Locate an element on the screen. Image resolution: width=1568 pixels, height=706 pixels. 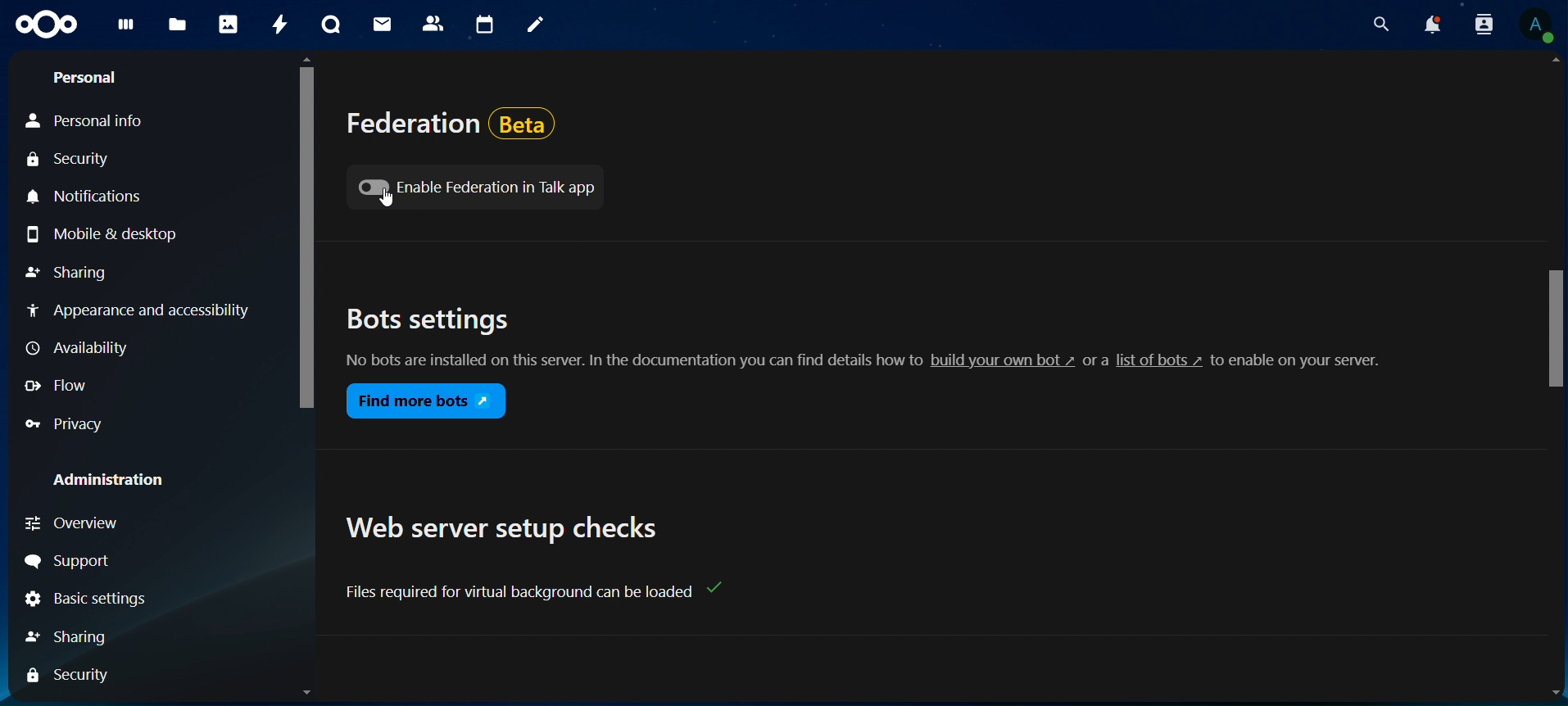
federation is located at coordinates (414, 123).